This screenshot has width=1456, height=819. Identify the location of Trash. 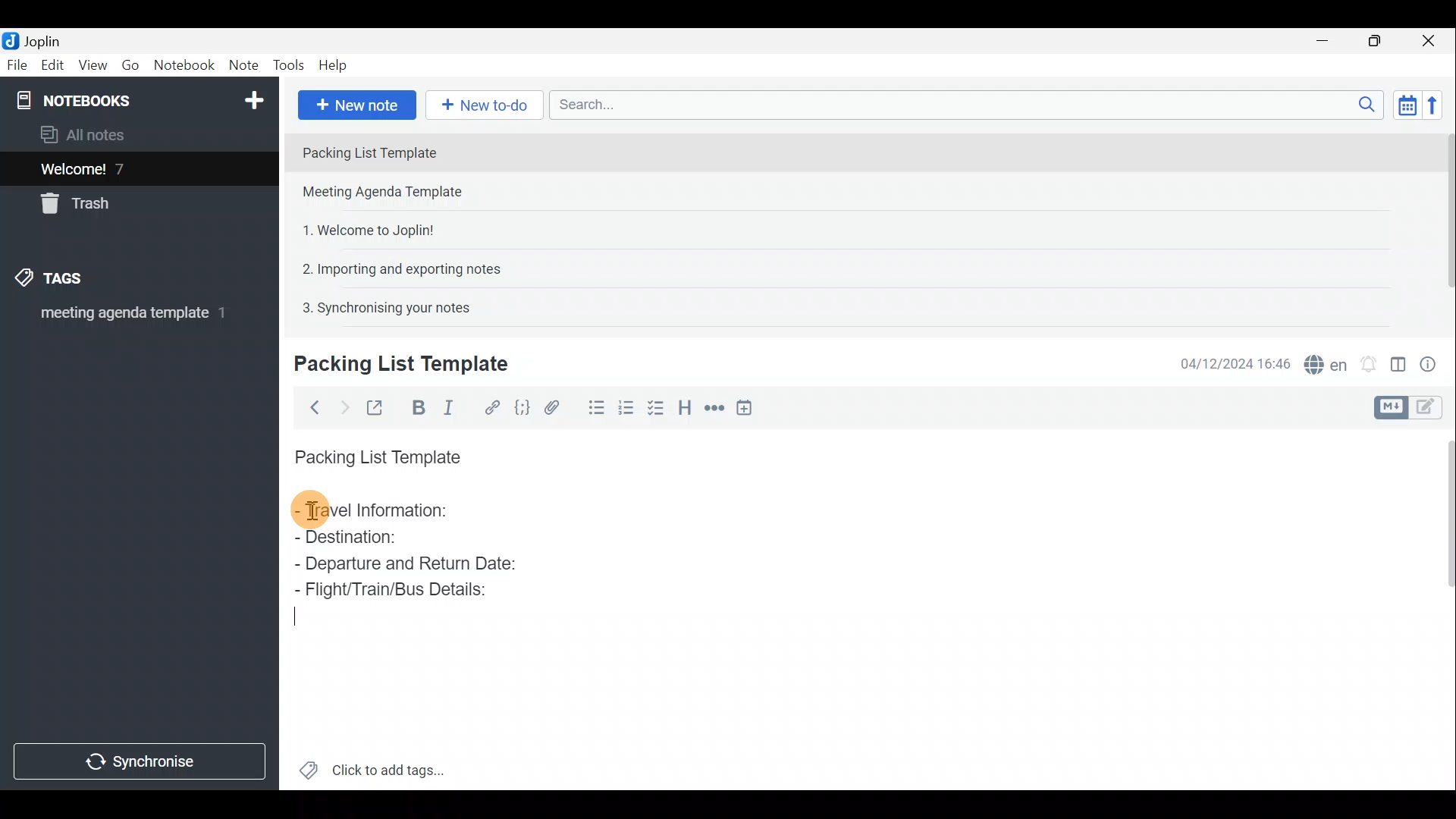
(81, 206).